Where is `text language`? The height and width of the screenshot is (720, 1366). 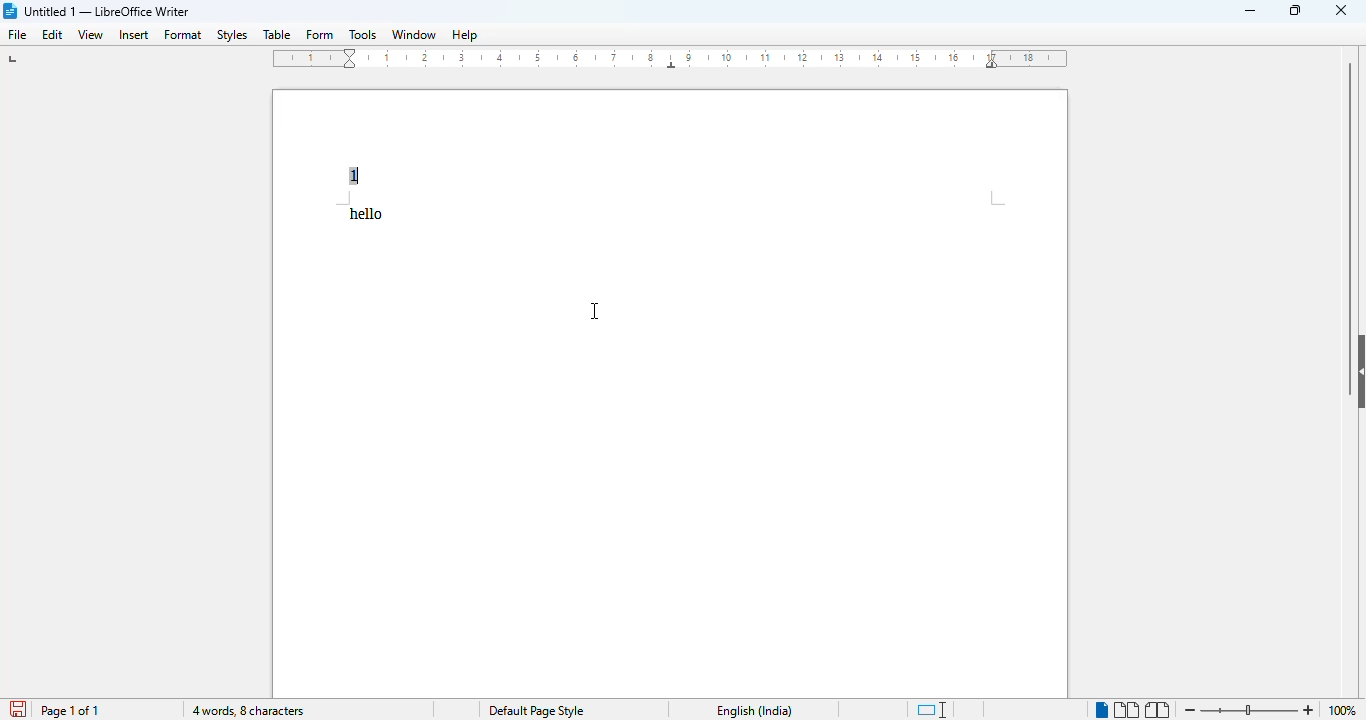
text language is located at coordinates (755, 711).